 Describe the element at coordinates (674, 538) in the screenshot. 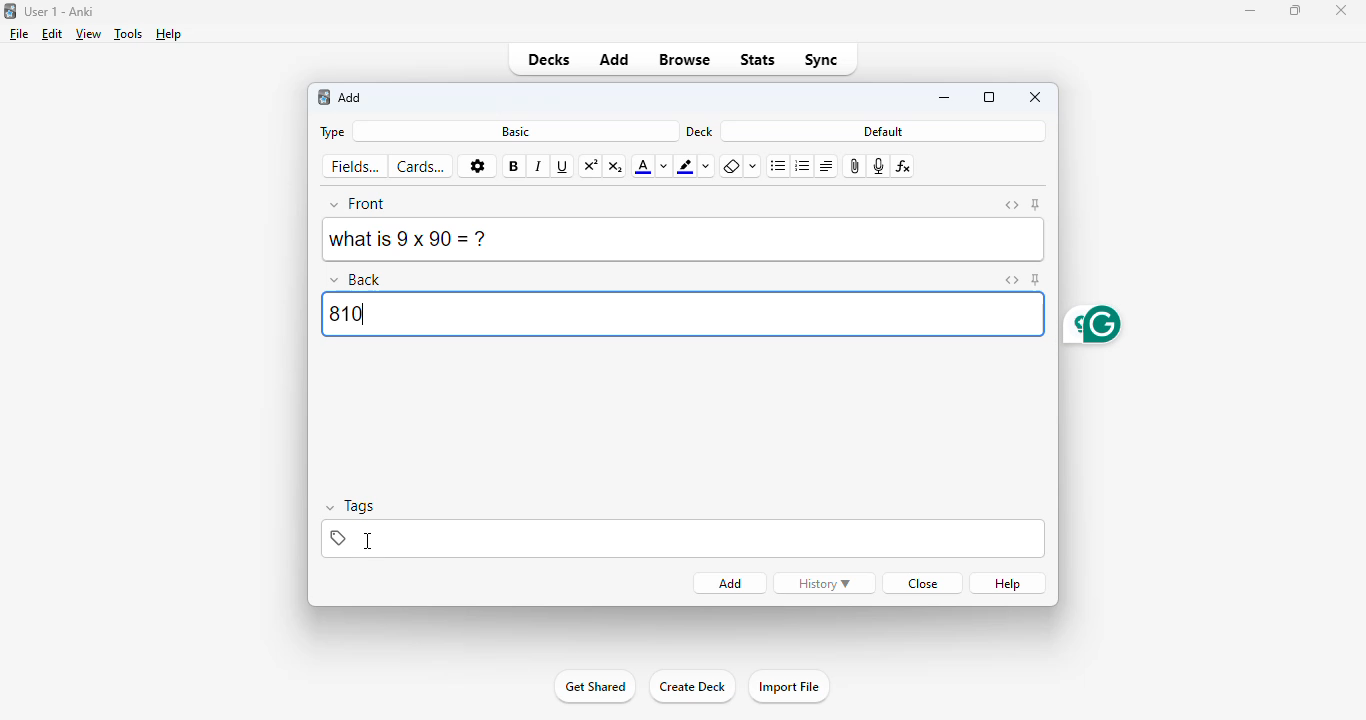

I see `add tag` at that location.